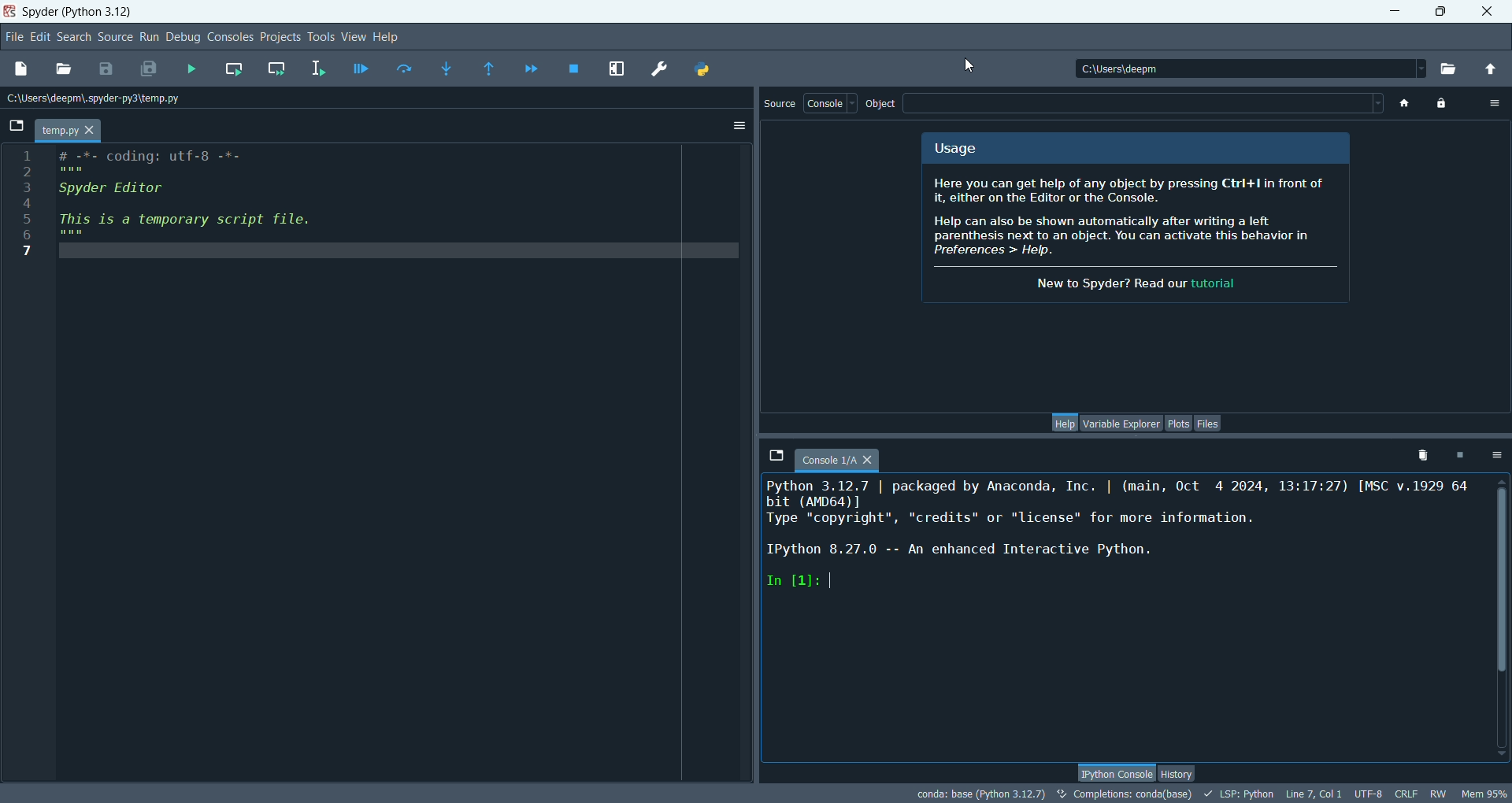 The image size is (1512, 803). What do you see at coordinates (1066, 422) in the screenshot?
I see `help` at bounding box center [1066, 422].